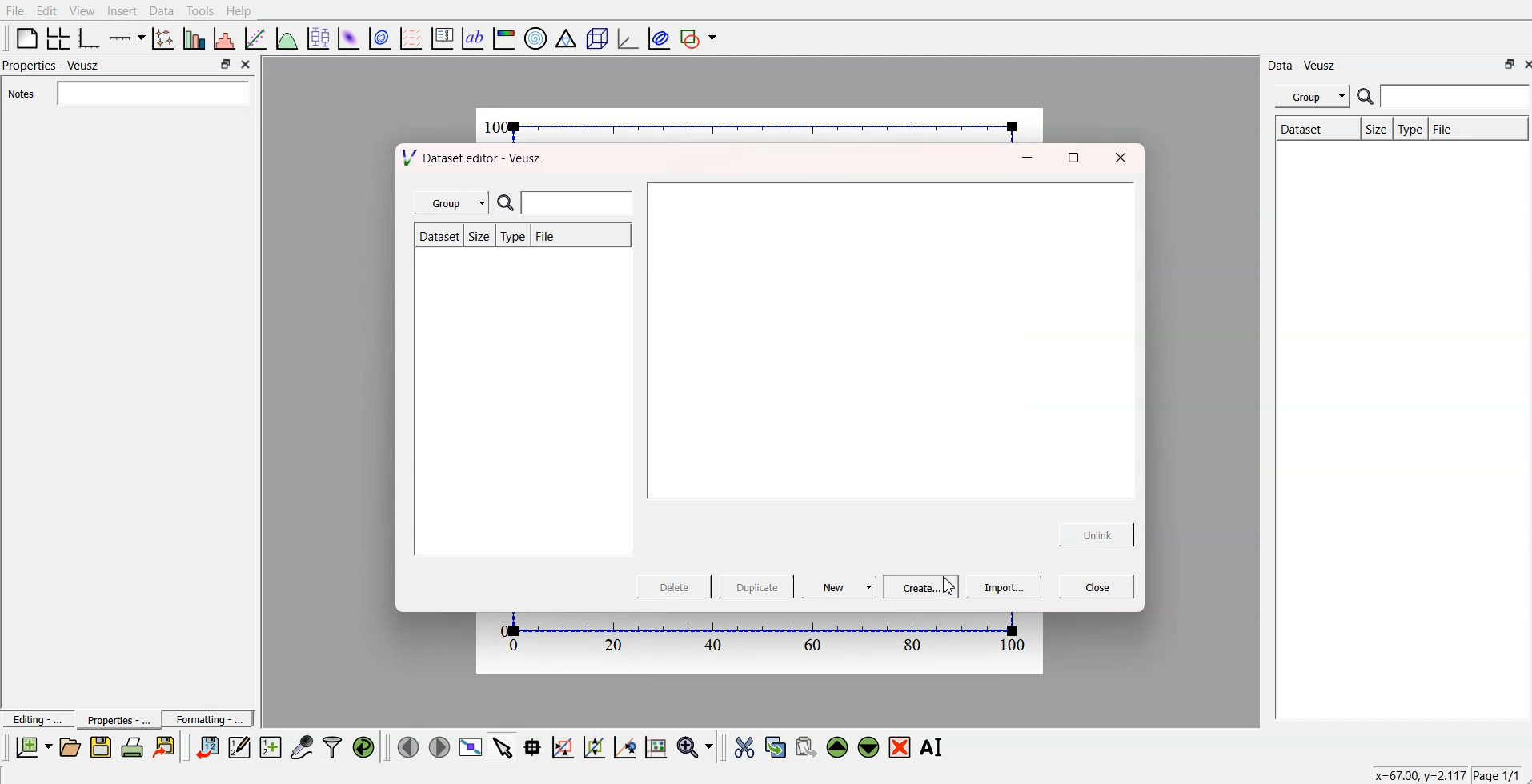 The height and width of the screenshot is (784, 1532). What do you see at coordinates (1003, 589) in the screenshot?
I see `Import` at bounding box center [1003, 589].